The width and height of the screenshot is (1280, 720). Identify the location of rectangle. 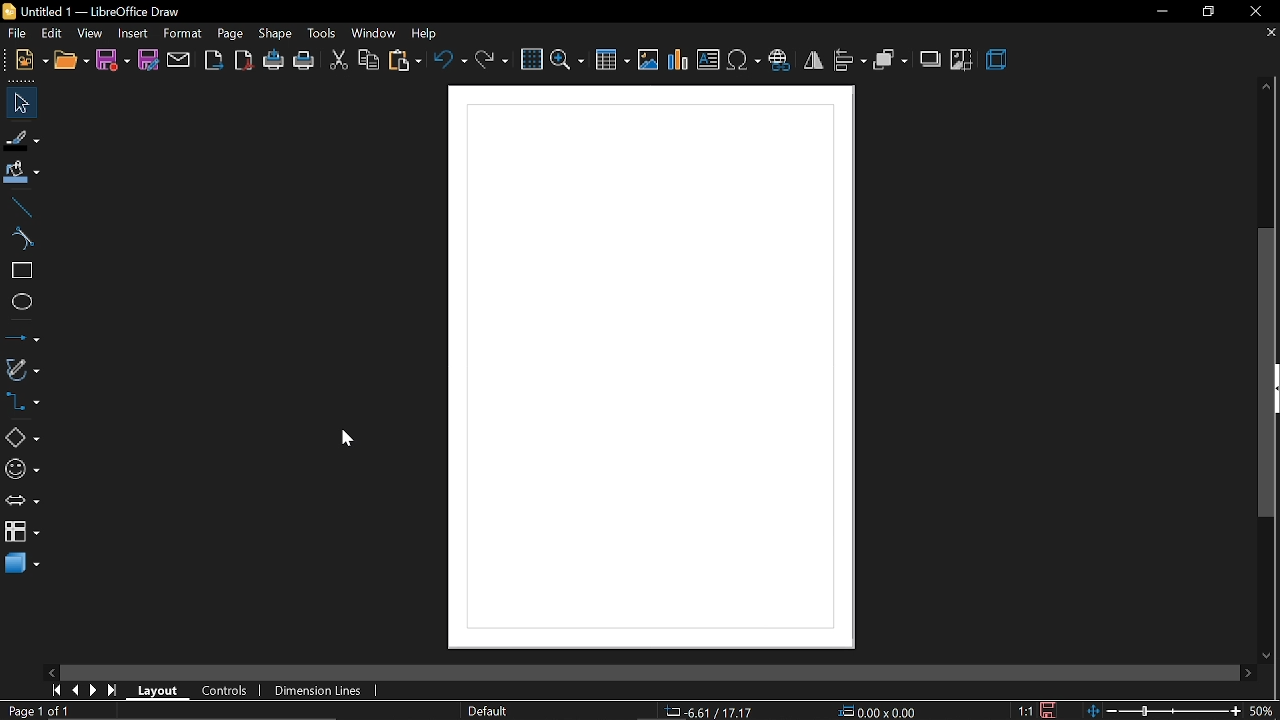
(22, 273).